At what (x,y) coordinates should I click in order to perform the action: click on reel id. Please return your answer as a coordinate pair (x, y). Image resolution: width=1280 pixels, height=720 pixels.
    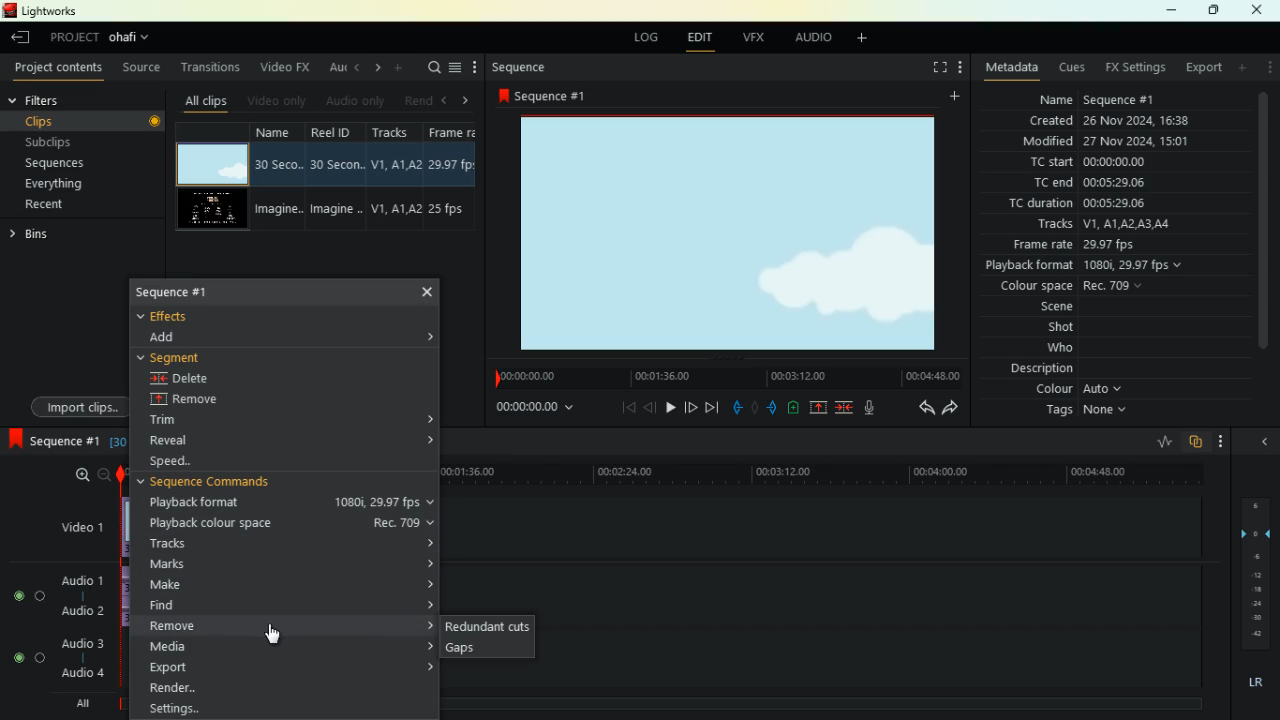
    Looking at the image, I should click on (337, 175).